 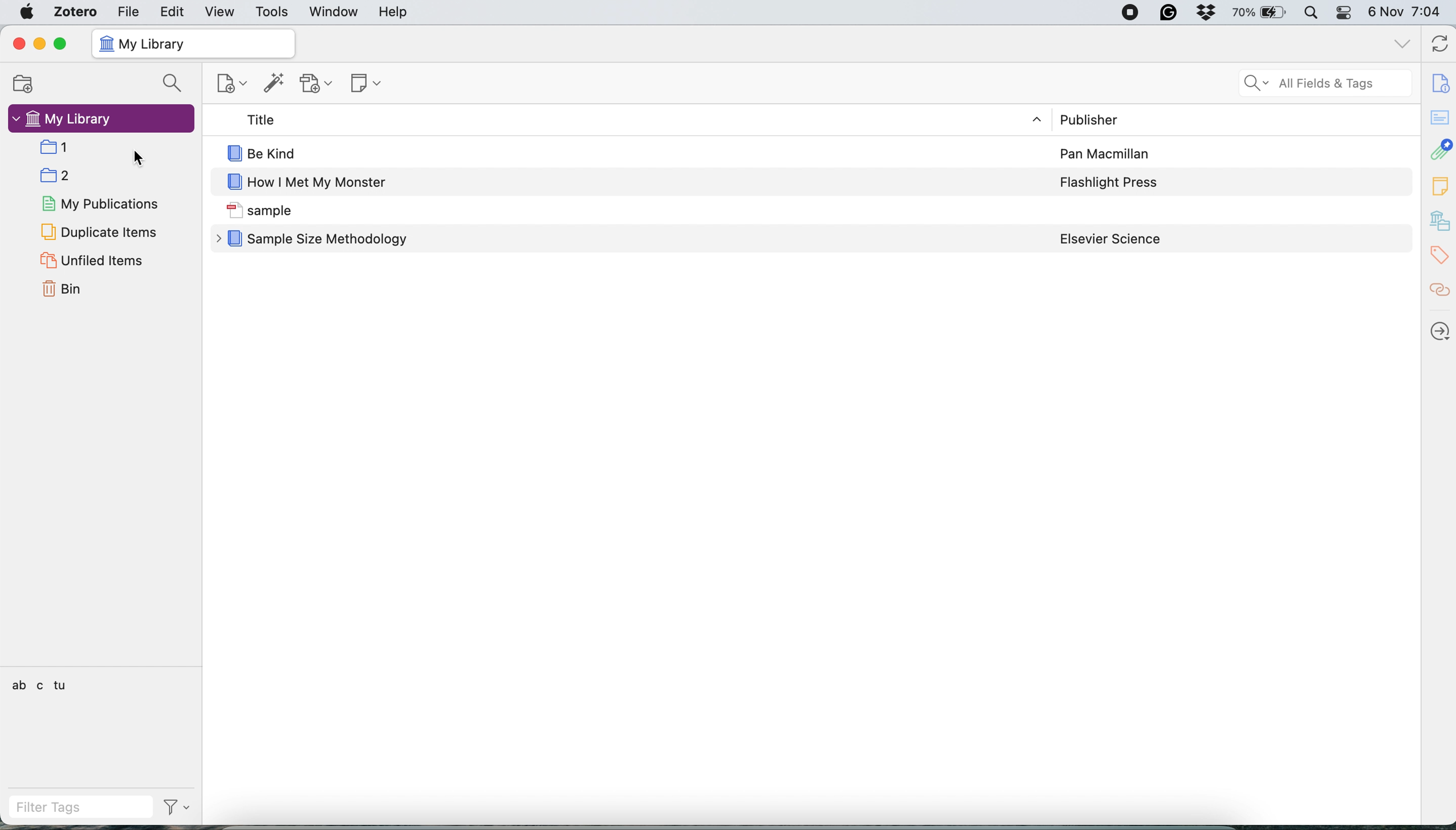 I want to click on abstract, so click(x=1439, y=117).